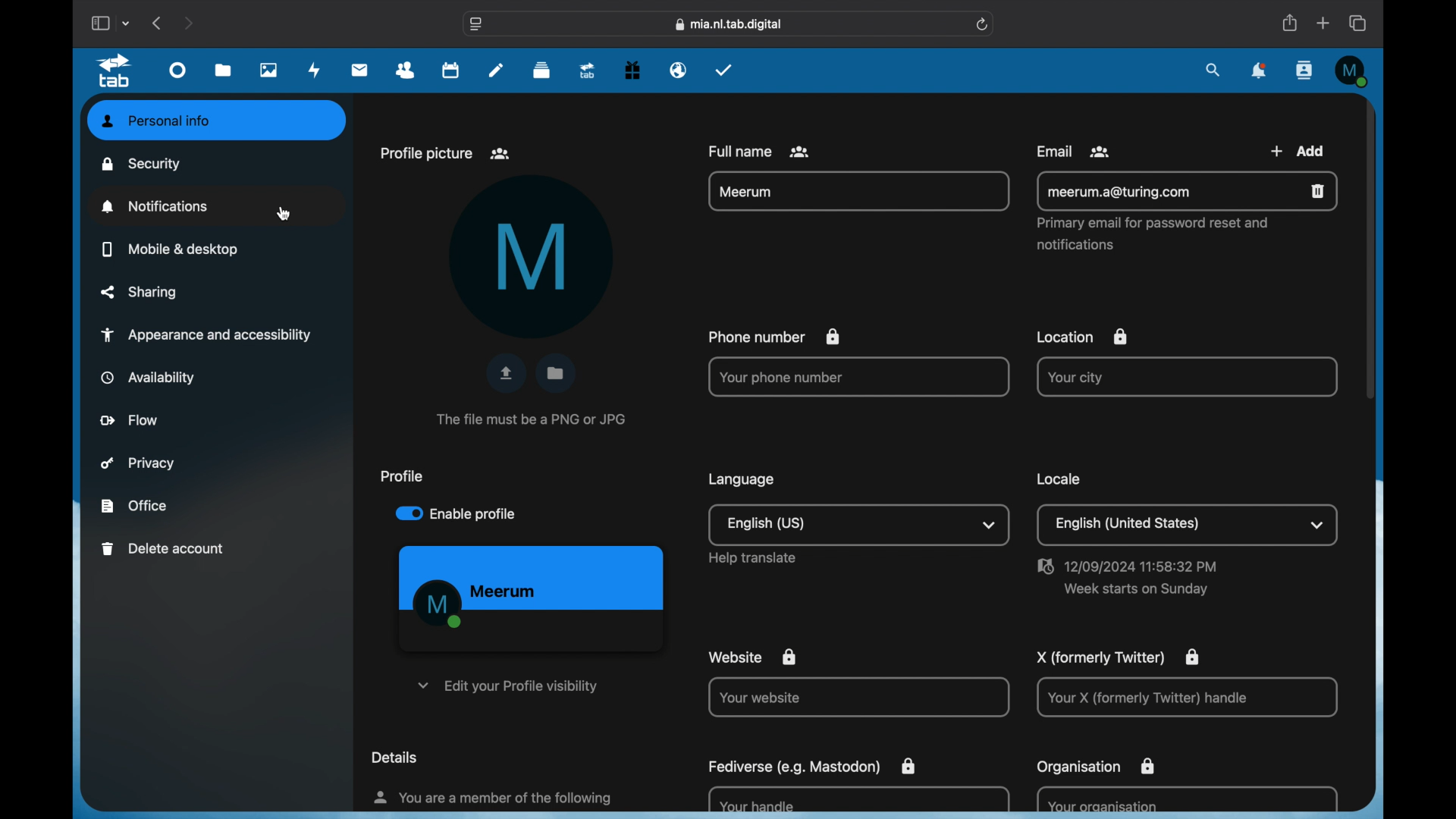  I want to click on info, so click(529, 419).